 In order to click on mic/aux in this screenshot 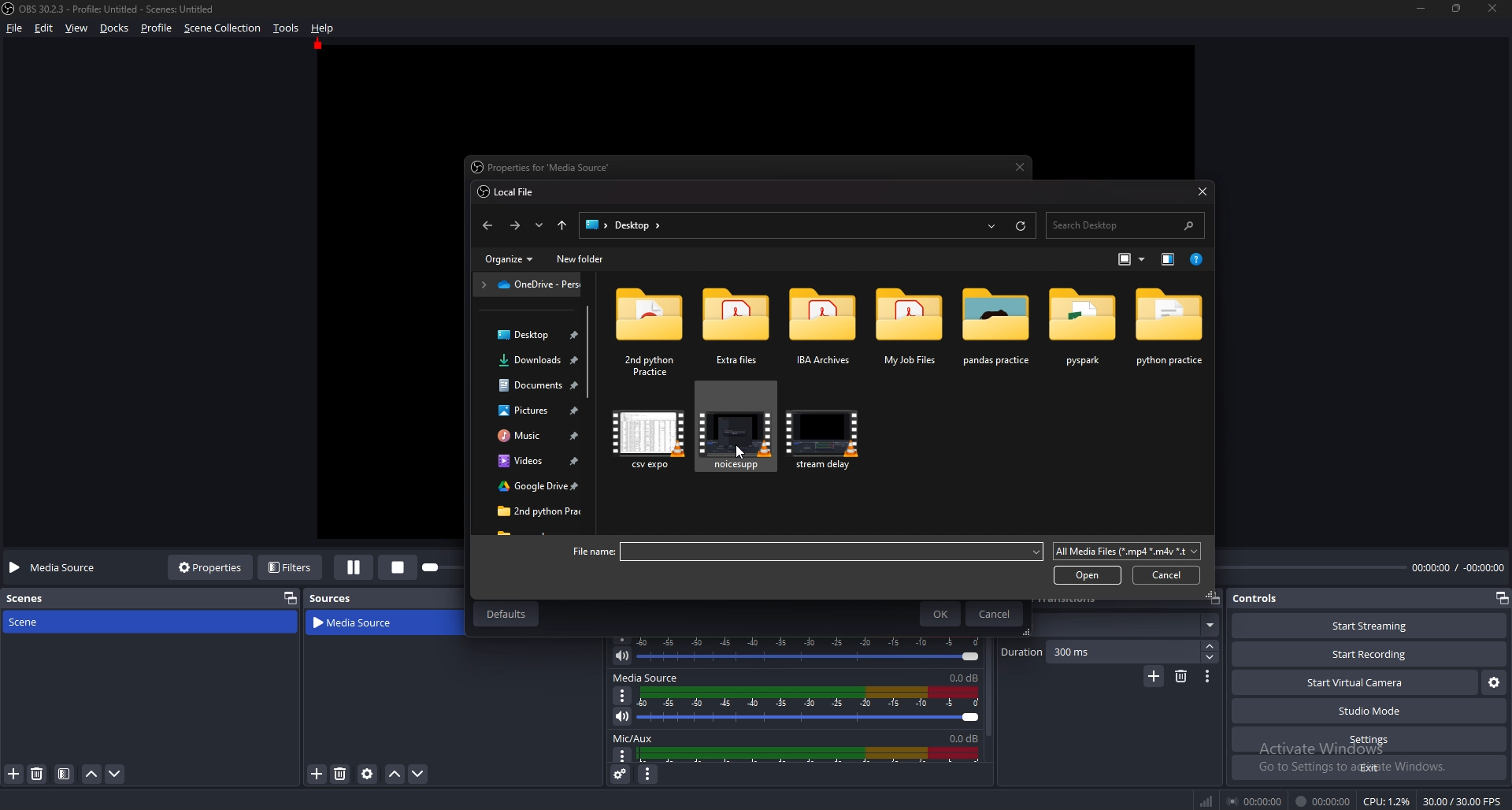, I will do `click(636, 738)`.